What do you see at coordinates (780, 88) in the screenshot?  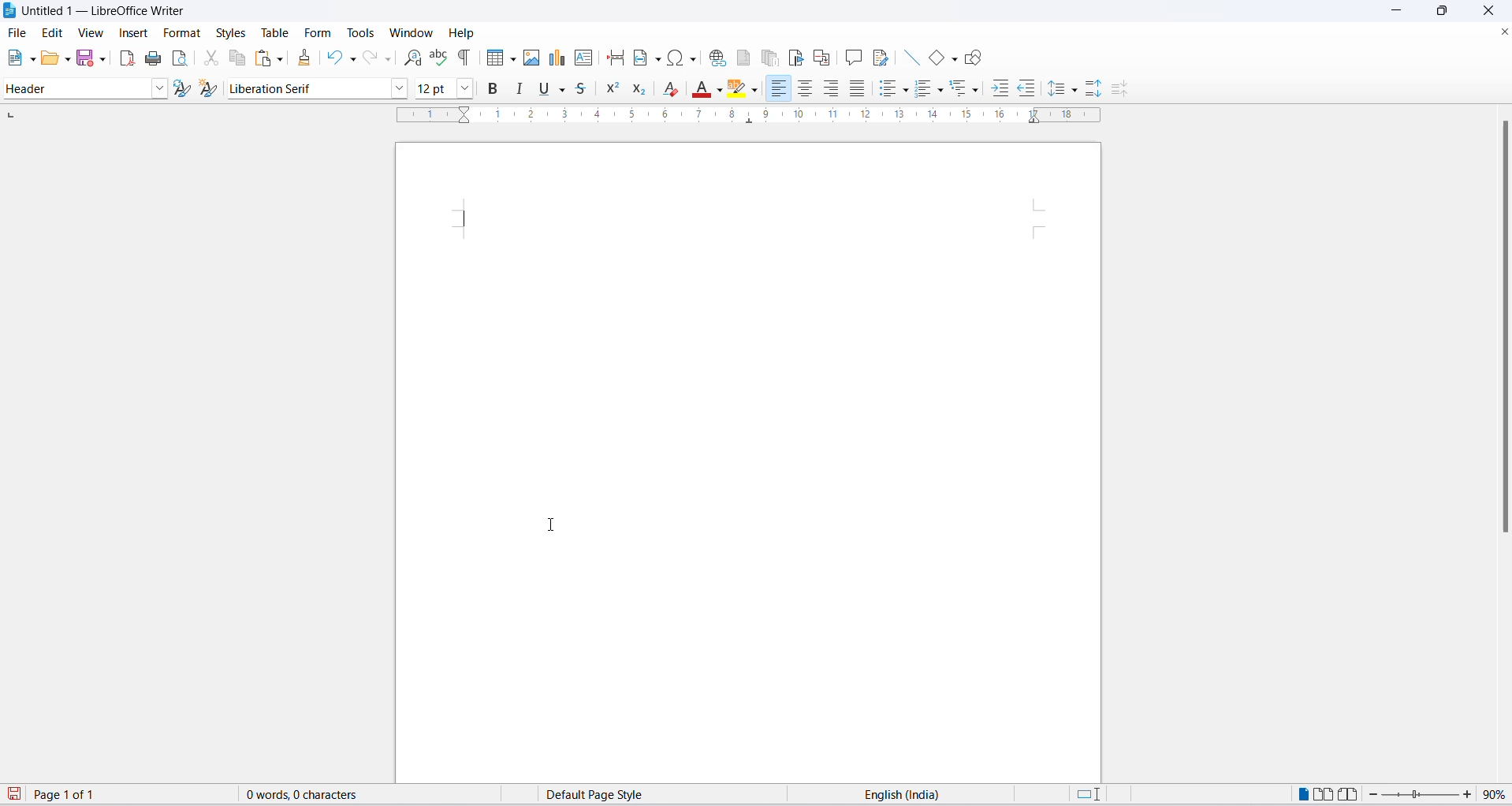 I see `text align left` at bounding box center [780, 88].